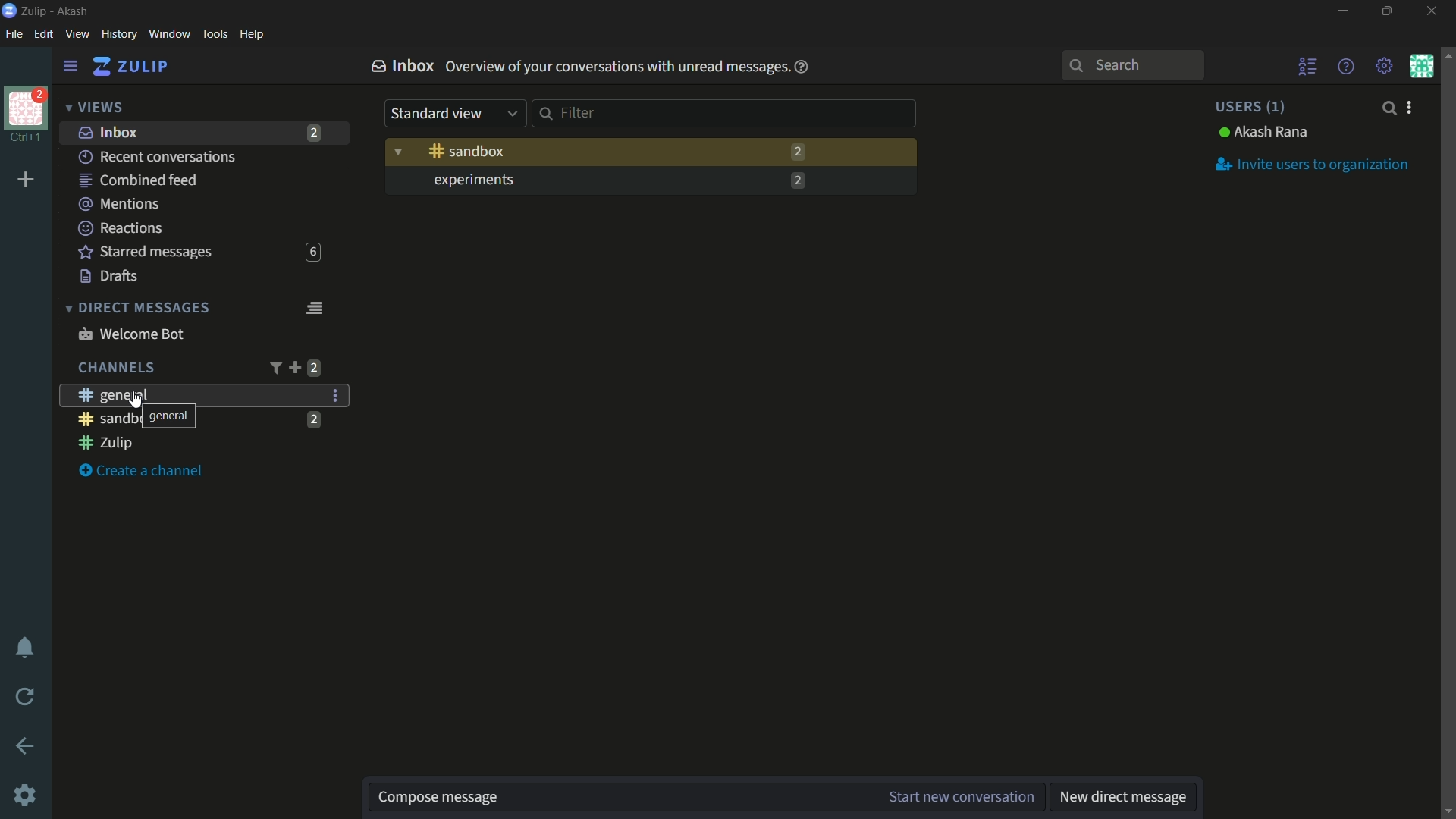  Describe the element at coordinates (27, 180) in the screenshot. I see `add organization` at that location.